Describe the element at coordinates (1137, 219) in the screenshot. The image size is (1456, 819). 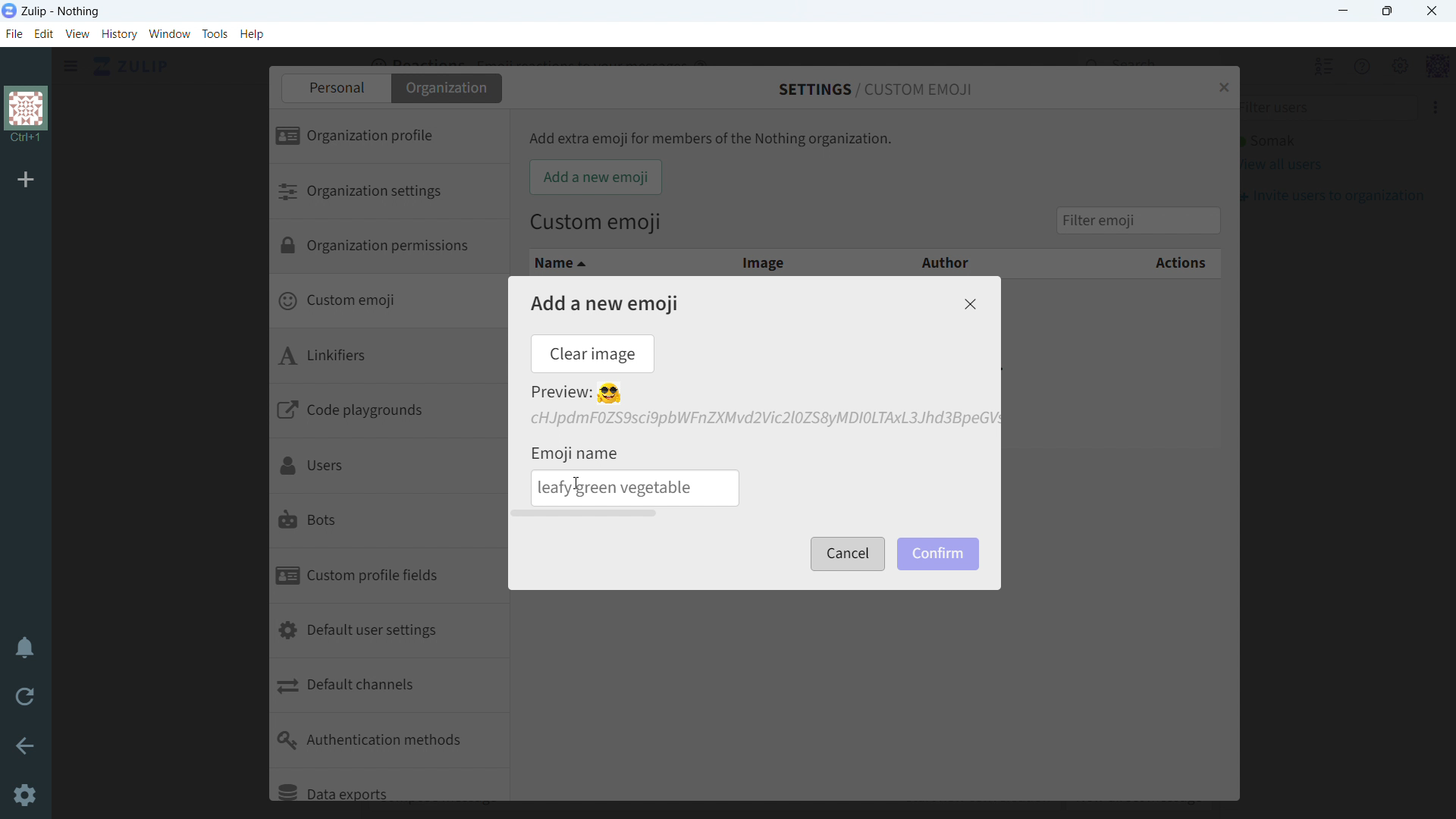
I see `filter emoji` at that location.